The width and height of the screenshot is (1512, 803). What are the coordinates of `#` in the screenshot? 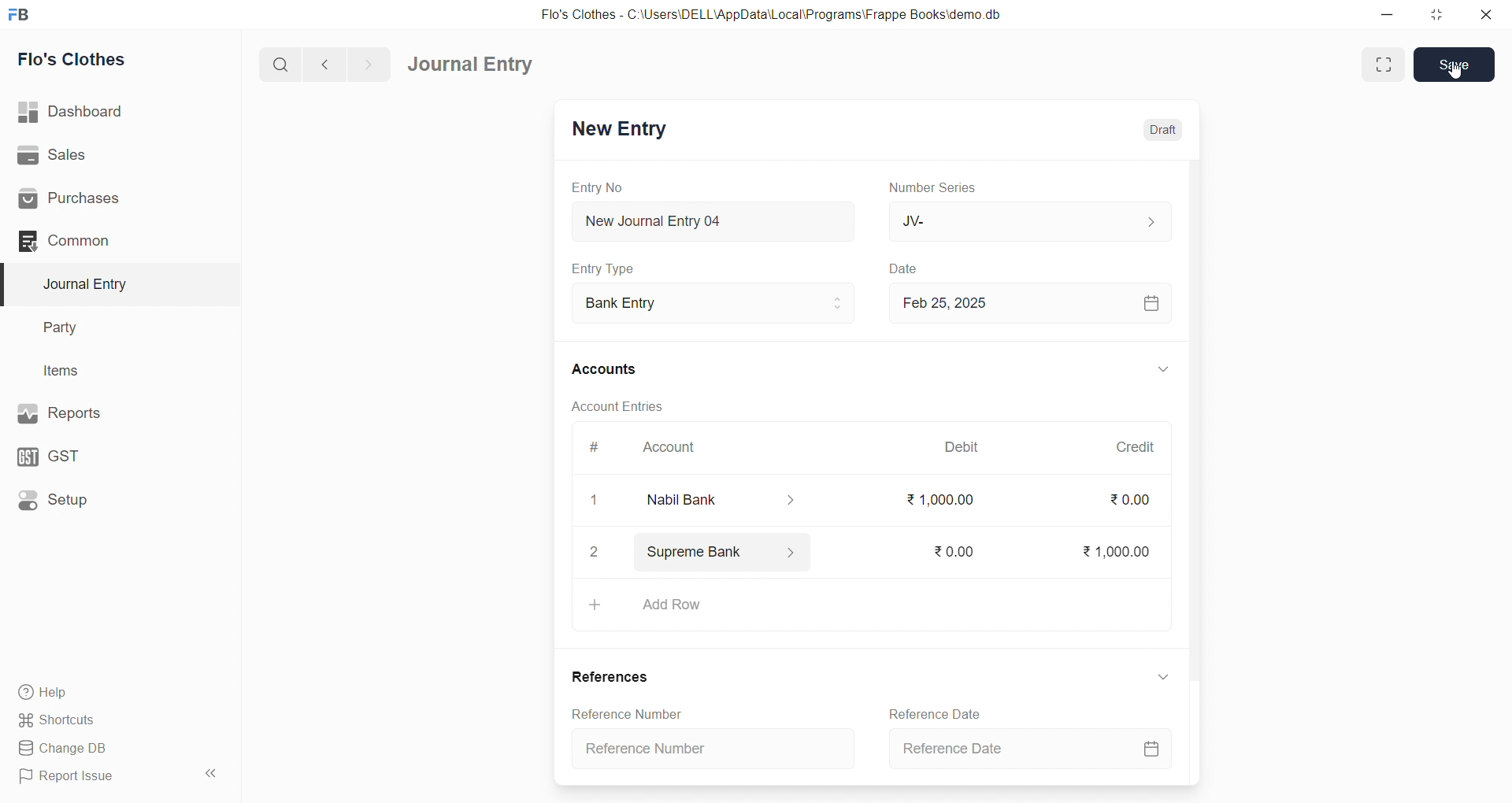 It's located at (595, 449).